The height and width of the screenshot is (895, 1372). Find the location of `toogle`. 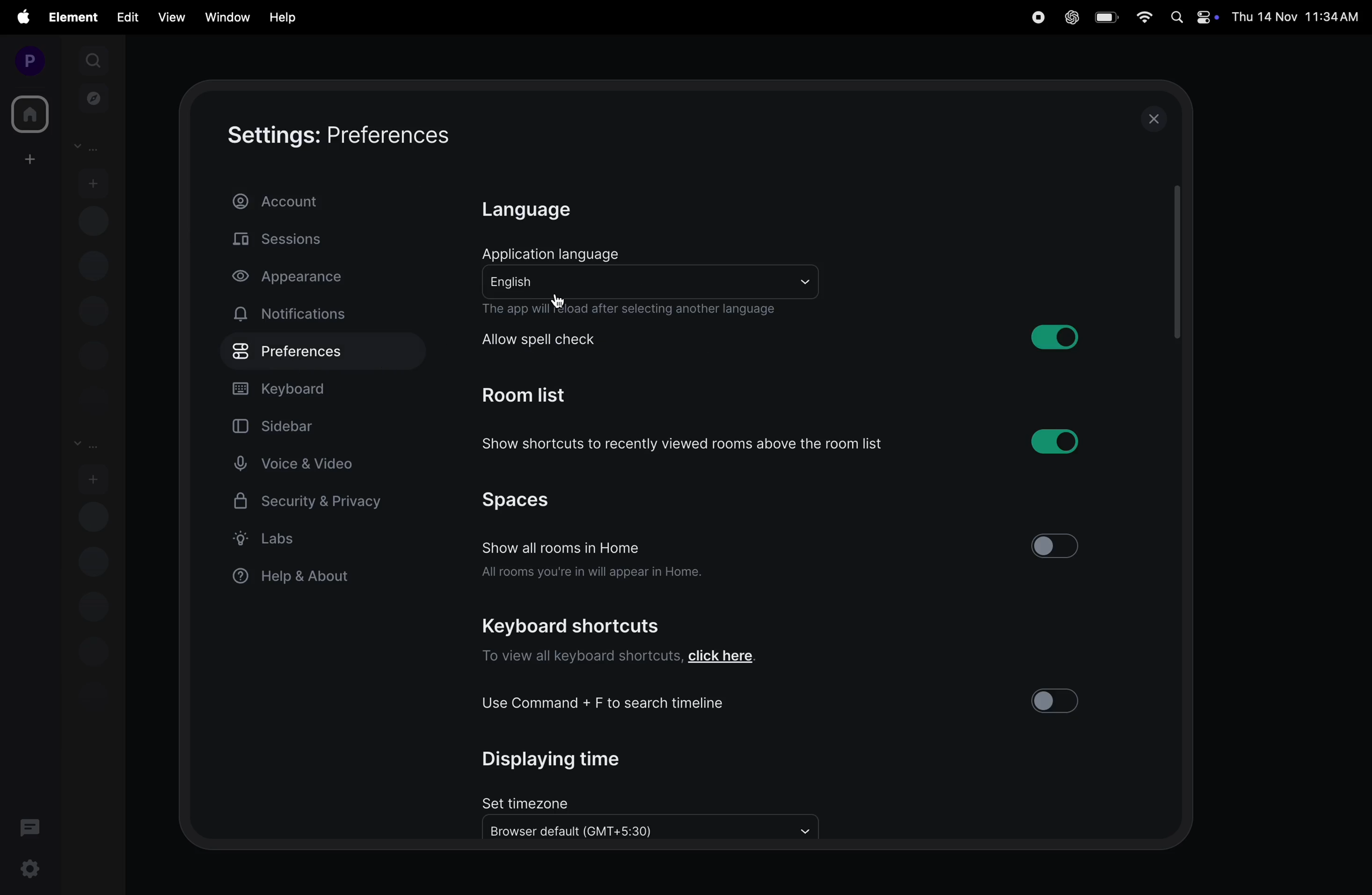

toogle is located at coordinates (1058, 699).